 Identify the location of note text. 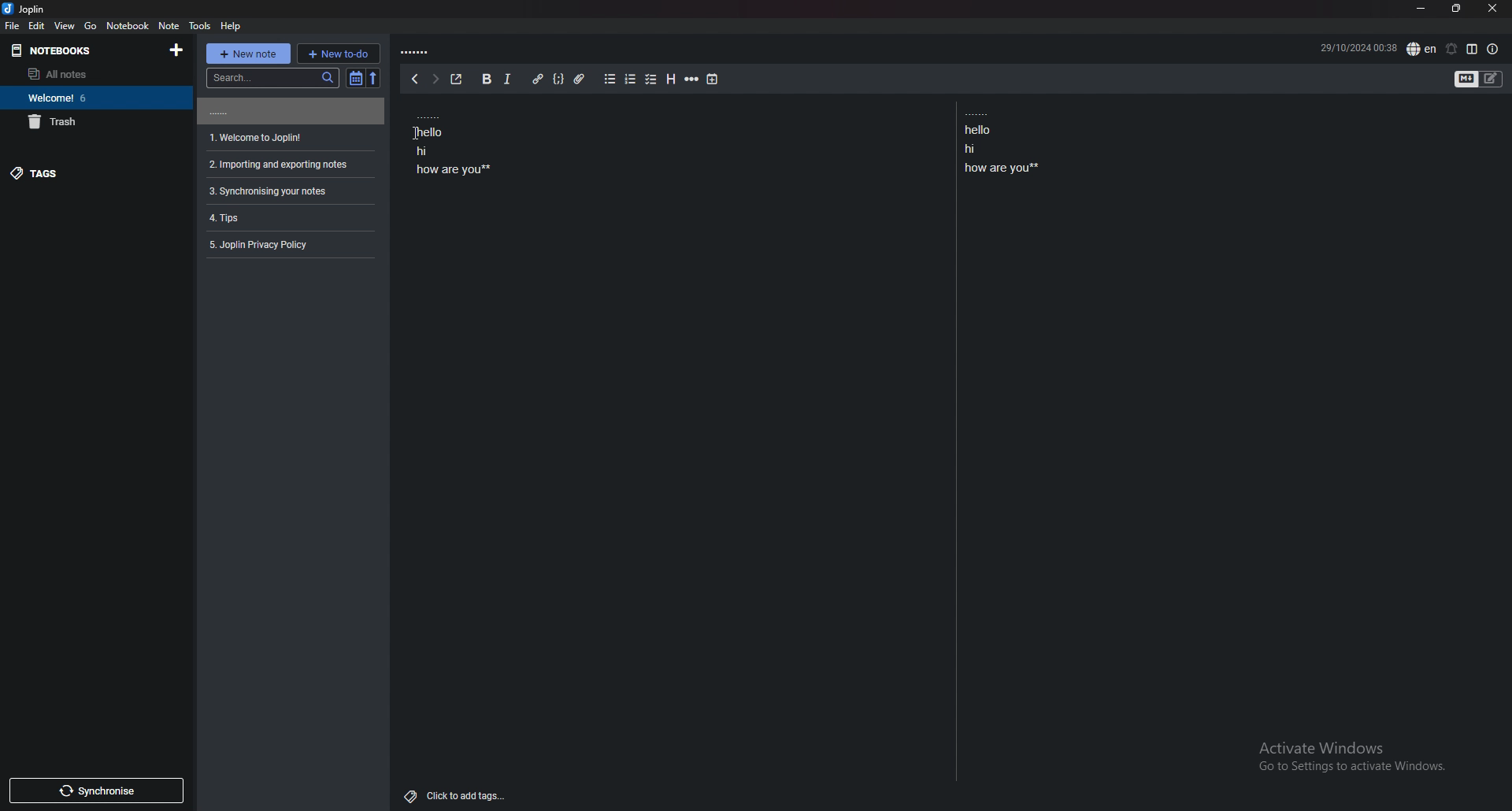
(451, 141).